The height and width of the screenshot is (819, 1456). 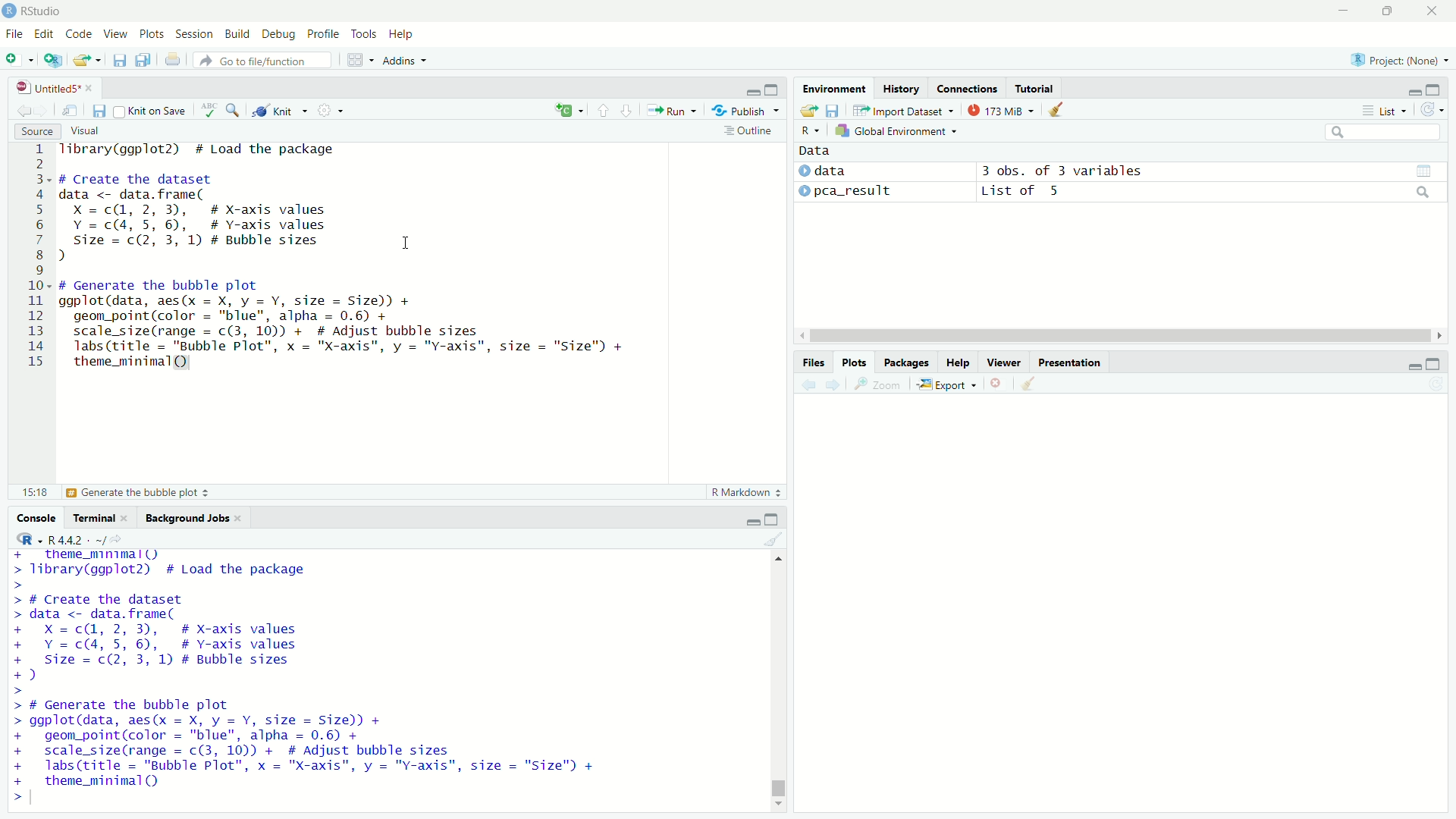 I want to click on previous plot, so click(x=807, y=384).